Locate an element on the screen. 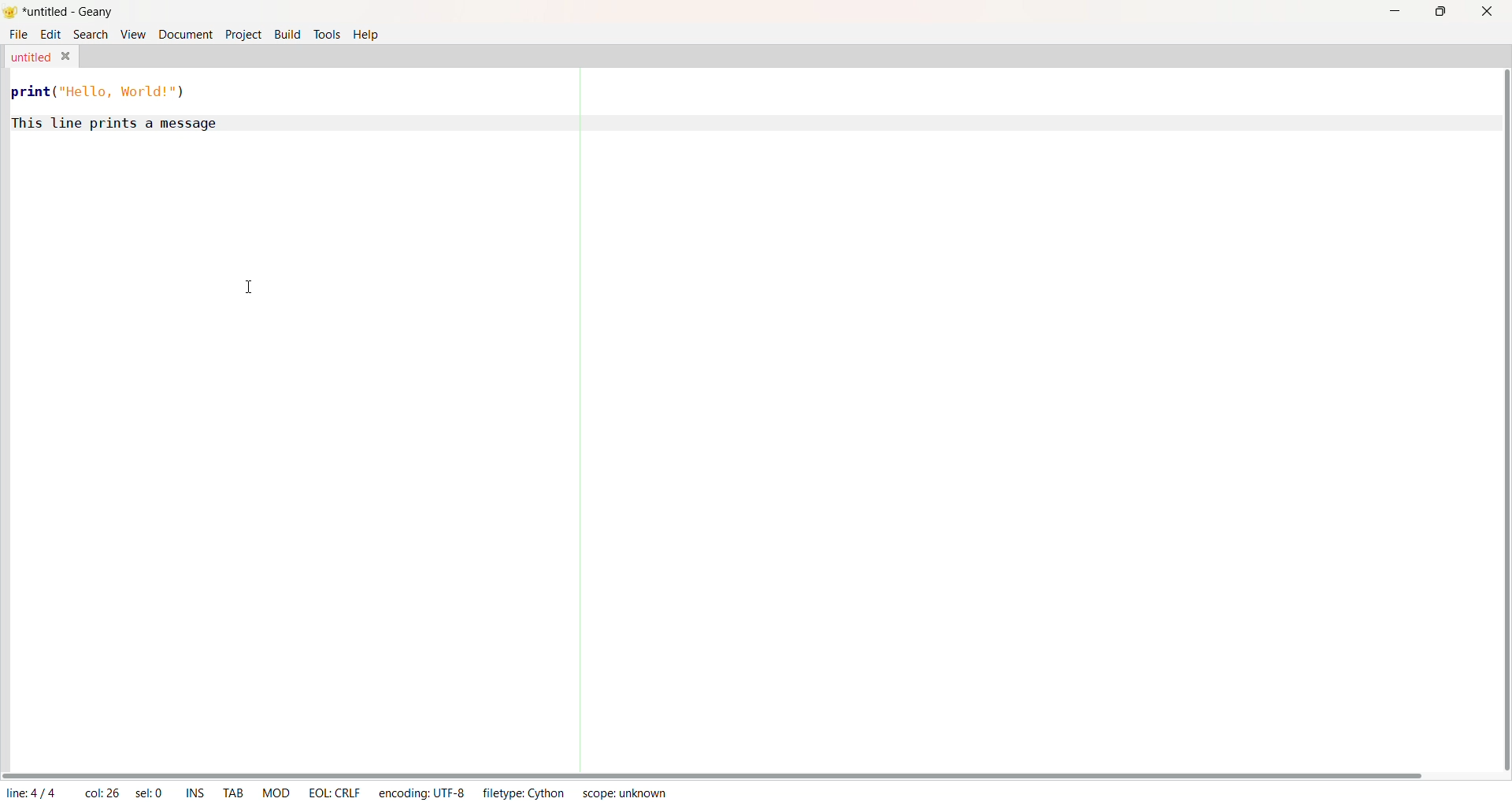 This screenshot has width=1512, height=802. Build is located at coordinates (284, 33).